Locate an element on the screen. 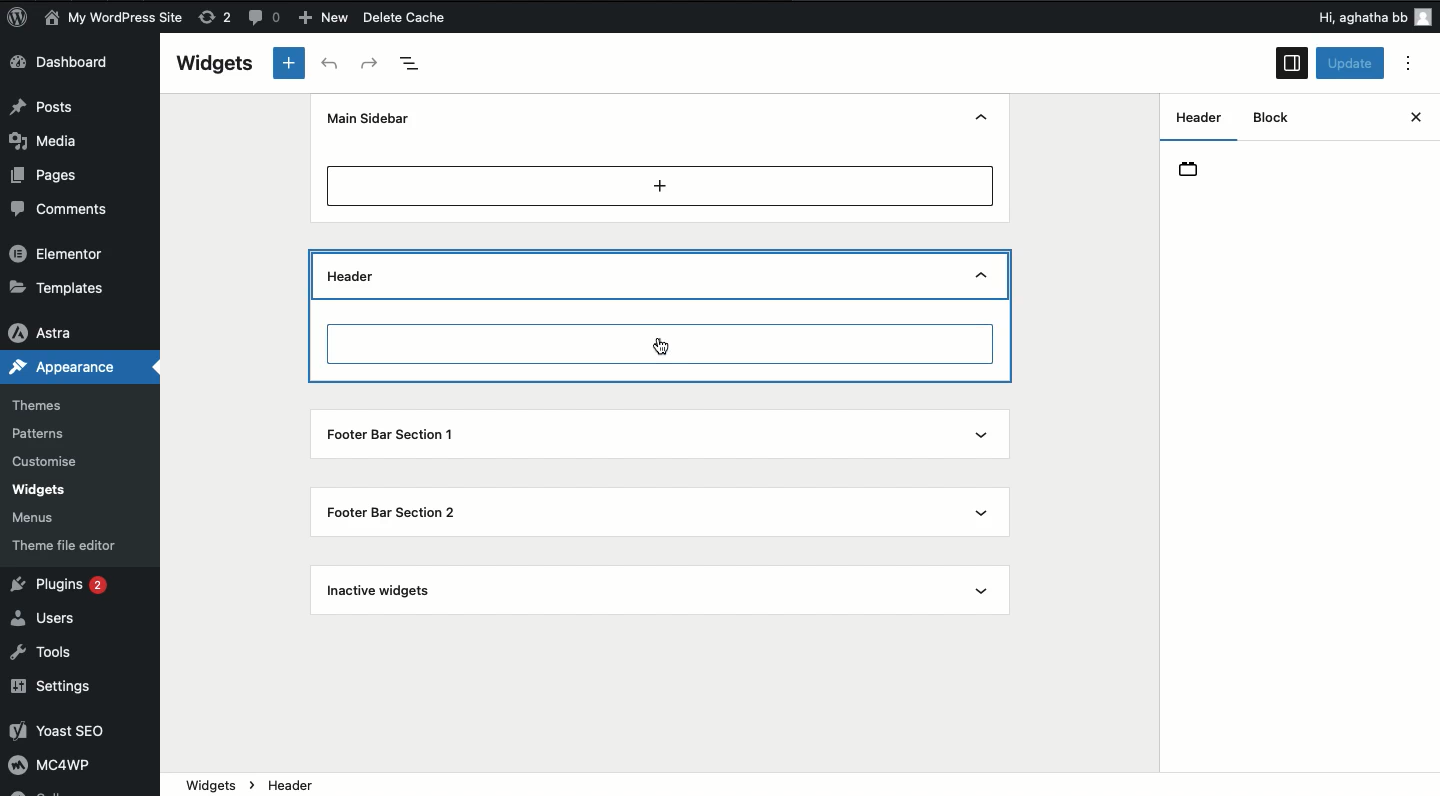  widgets is located at coordinates (800, 785).